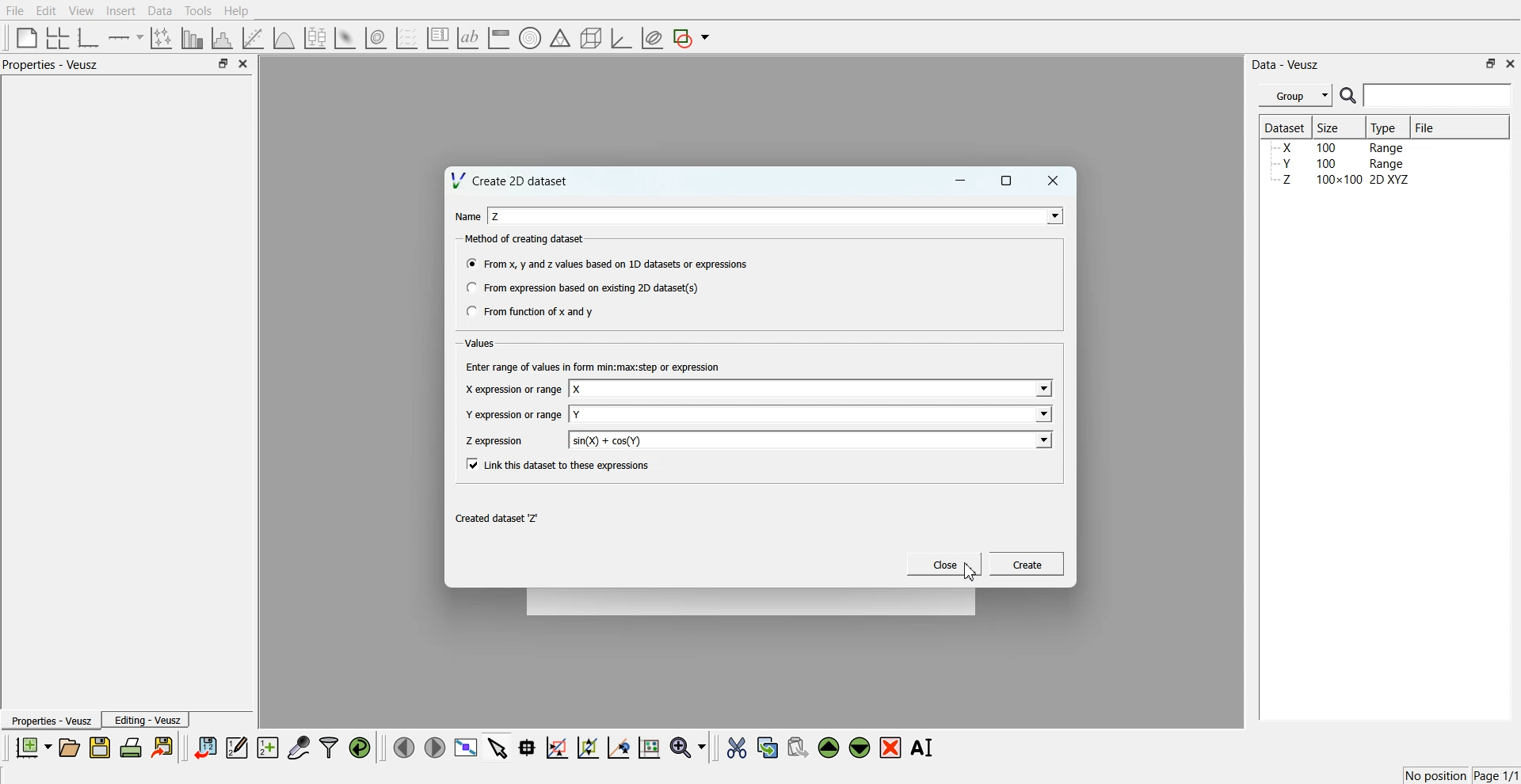  What do you see at coordinates (513, 389) in the screenshot?
I see `MX expression or range` at bounding box center [513, 389].